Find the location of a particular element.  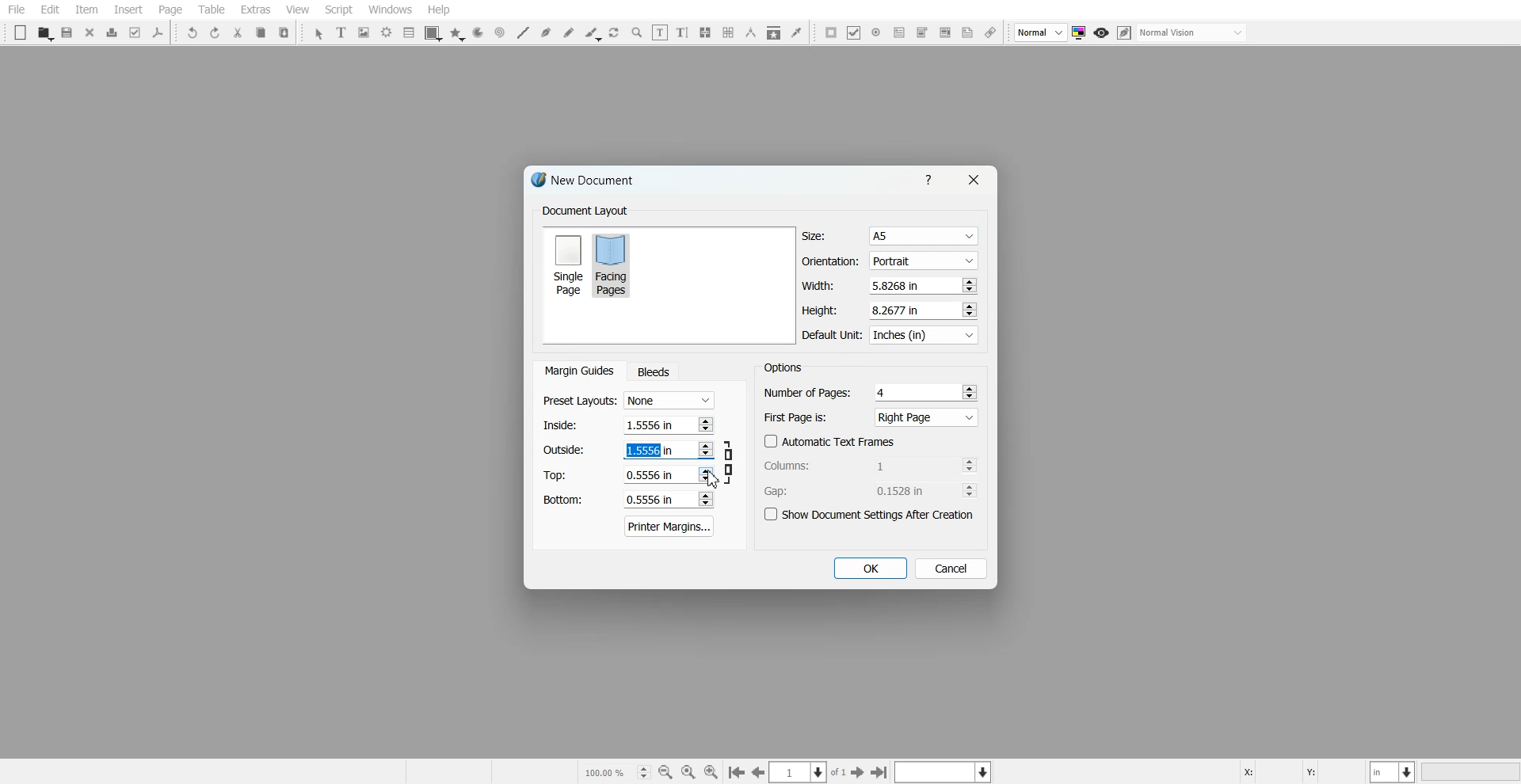

Show Document settings after Creation is located at coordinates (871, 515).